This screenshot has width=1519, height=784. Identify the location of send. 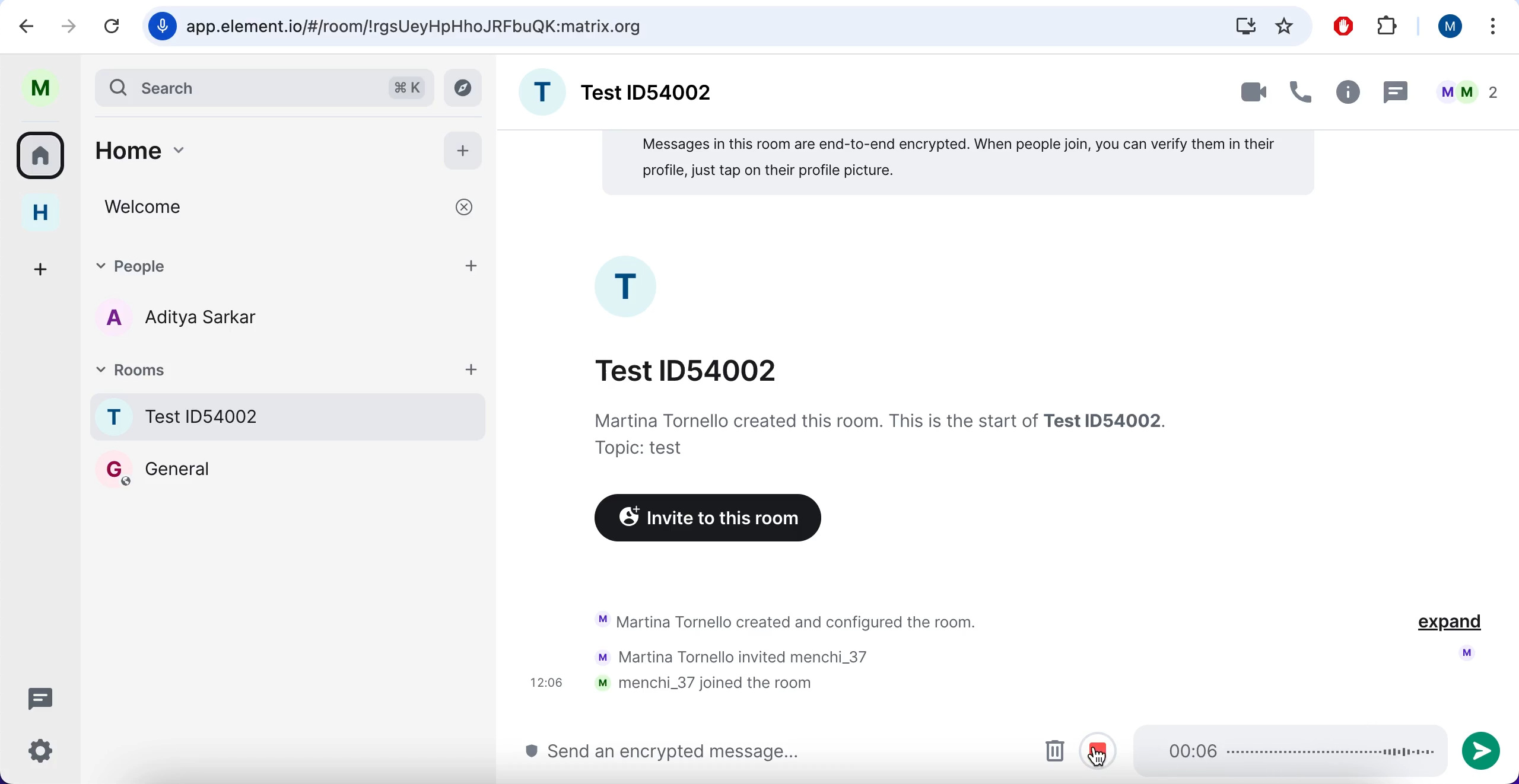
(1487, 748).